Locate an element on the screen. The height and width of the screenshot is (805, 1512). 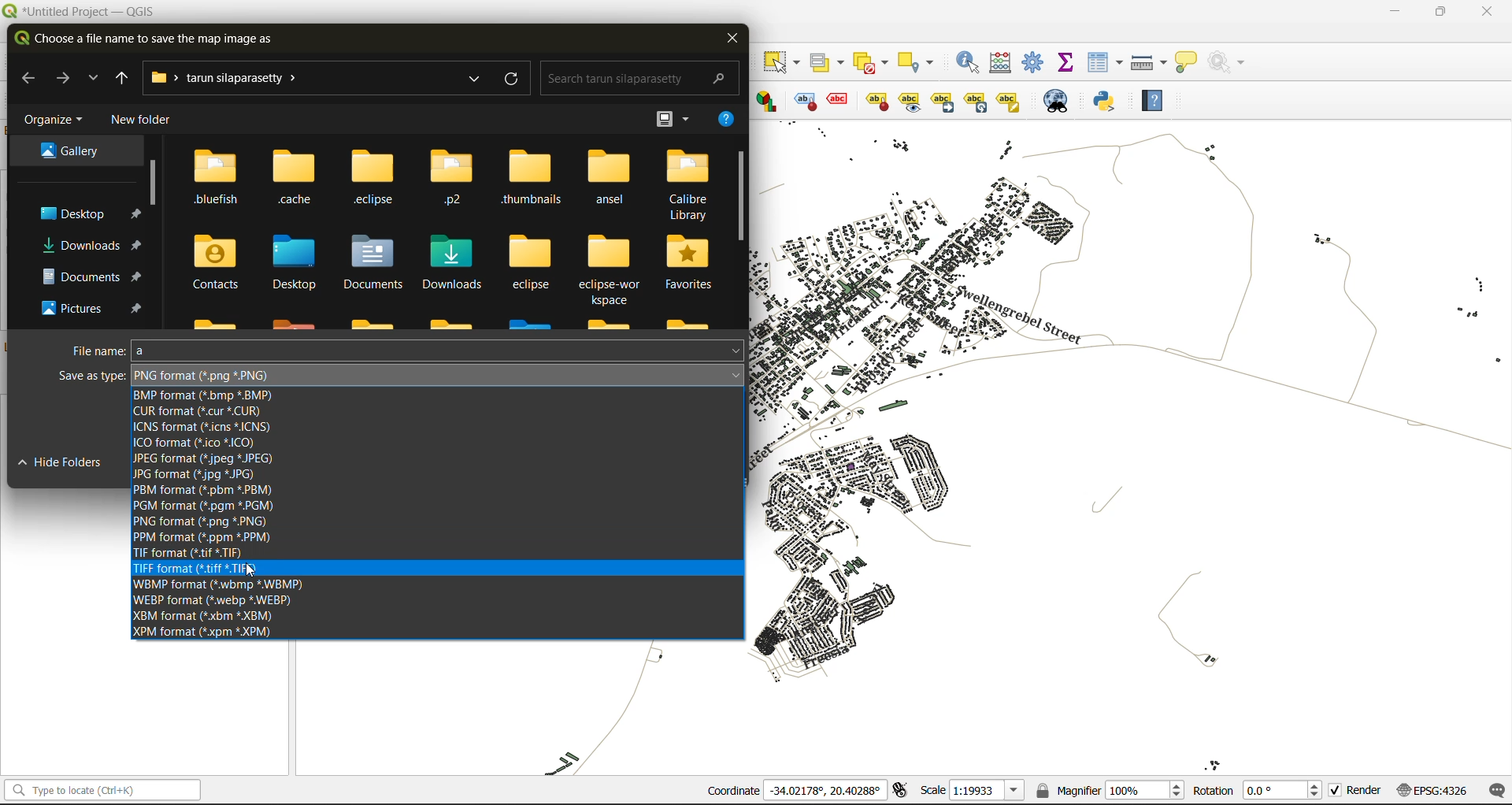
folders is located at coordinates (76, 227).